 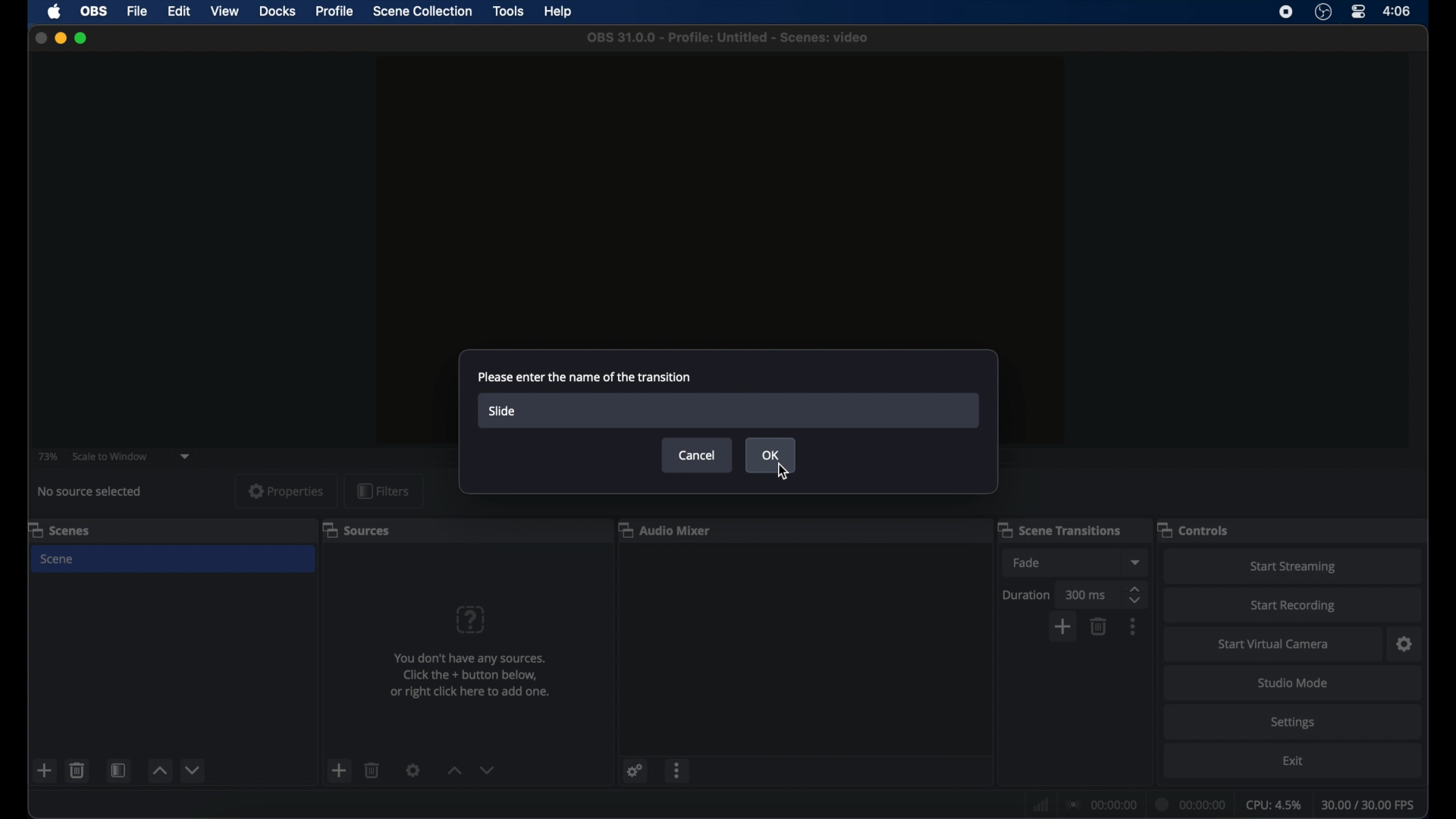 I want to click on delete, so click(x=1100, y=626).